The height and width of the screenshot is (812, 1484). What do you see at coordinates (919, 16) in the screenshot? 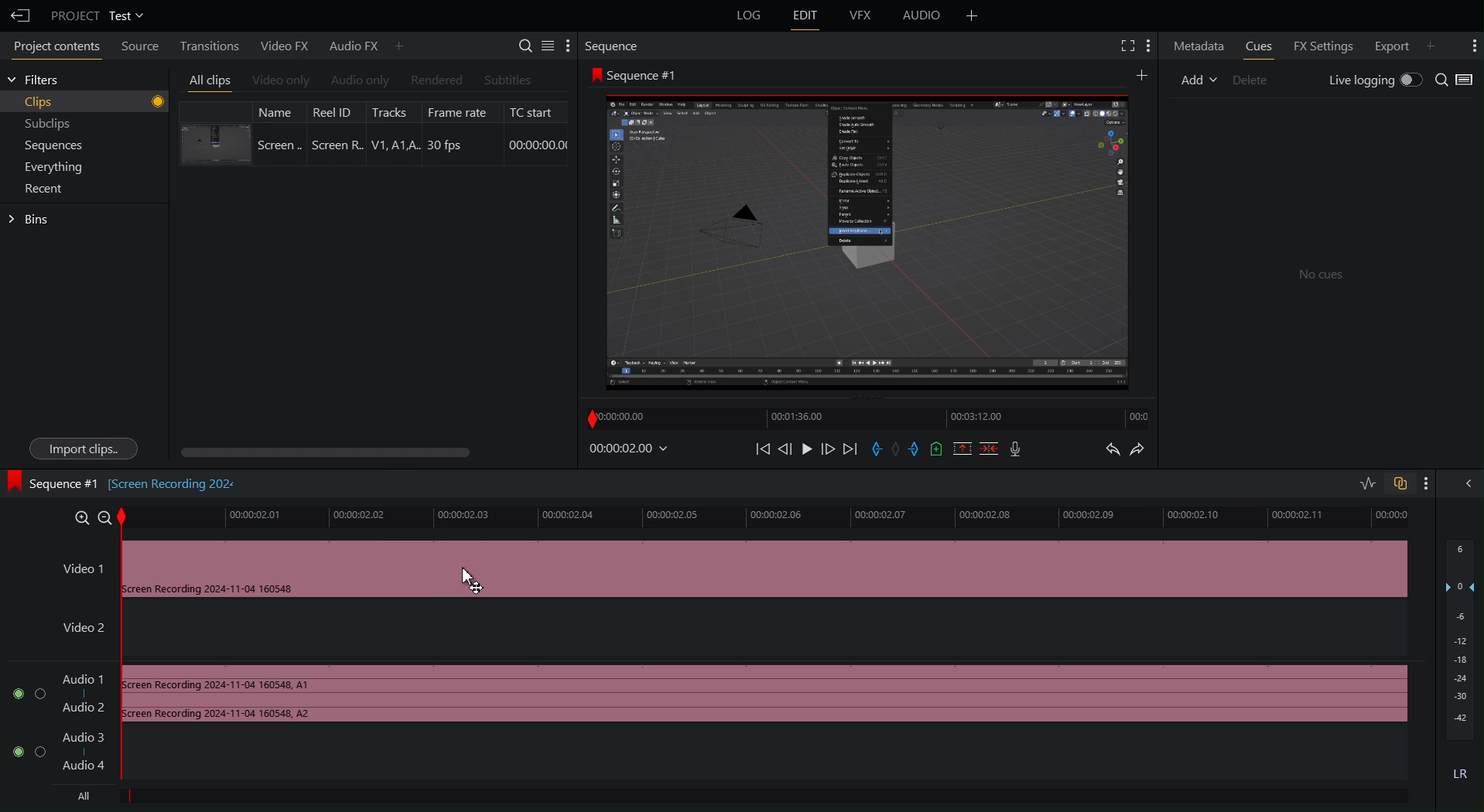
I see `Audio` at bounding box center [919, 16].